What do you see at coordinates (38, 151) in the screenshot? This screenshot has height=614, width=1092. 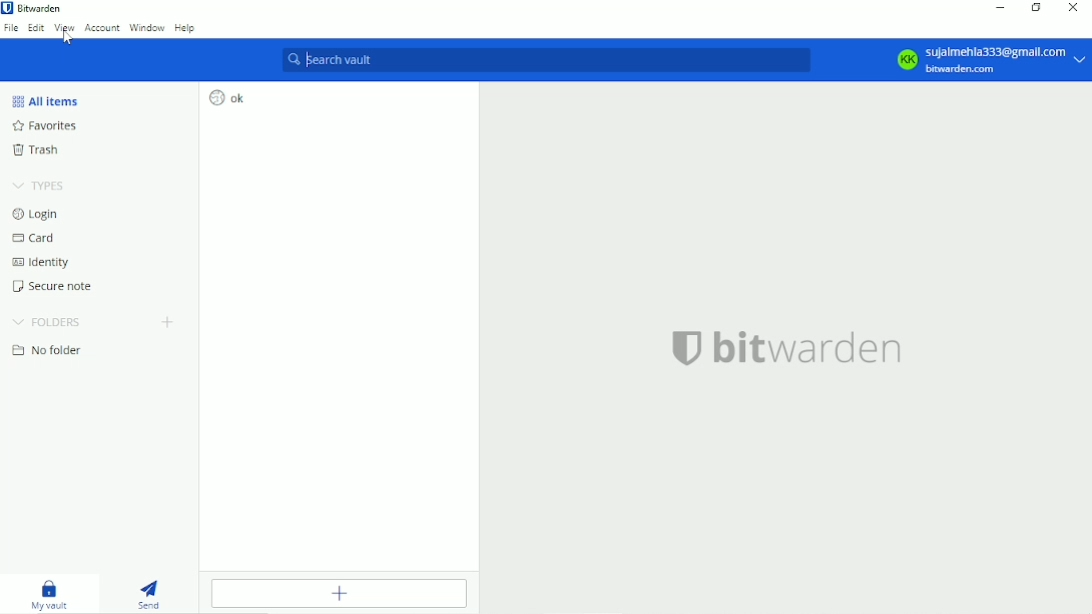 I see `Trash` at bounding box center [38, 151].